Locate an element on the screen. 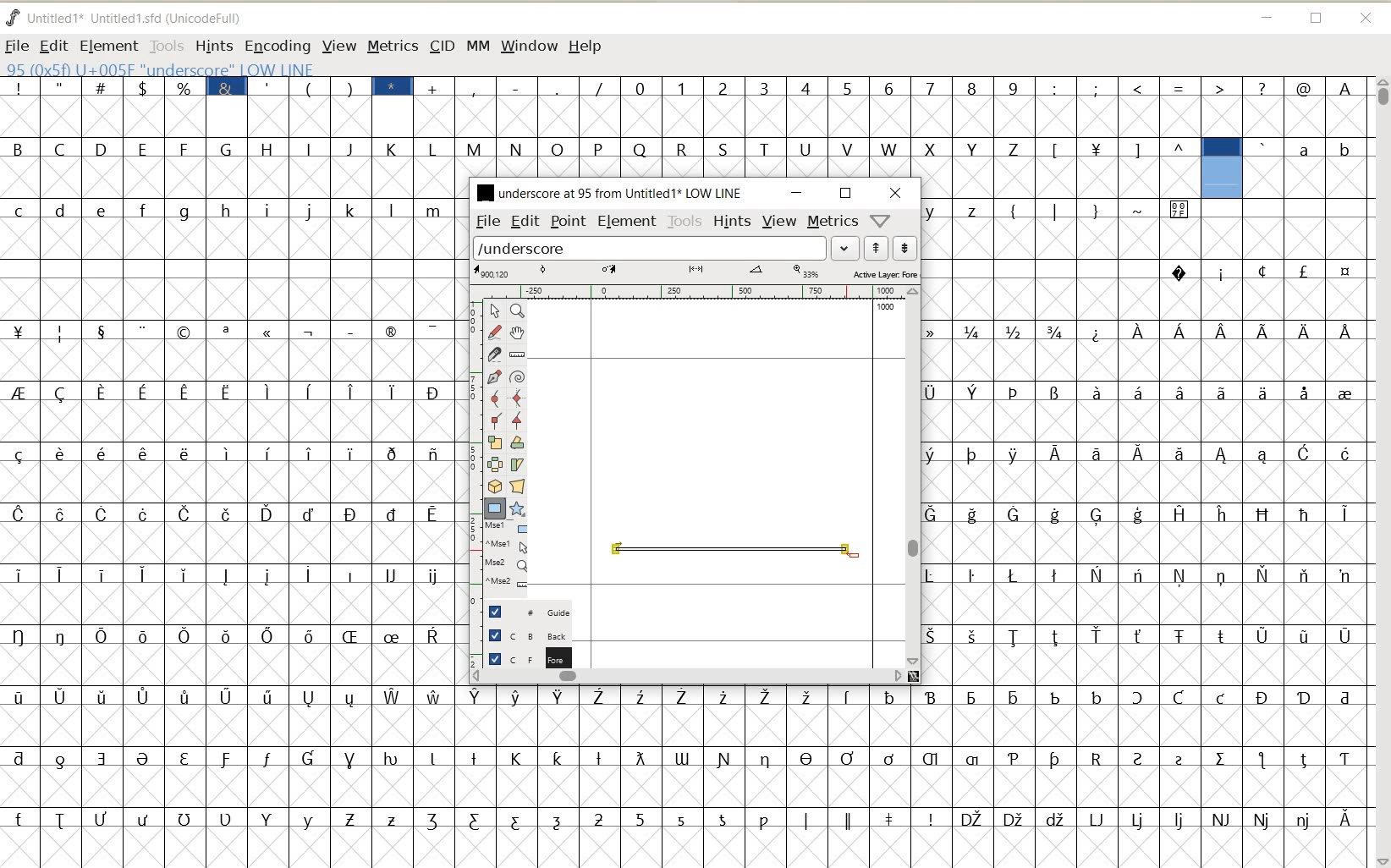  MINIMIZE is located at coordinates (798, 193).